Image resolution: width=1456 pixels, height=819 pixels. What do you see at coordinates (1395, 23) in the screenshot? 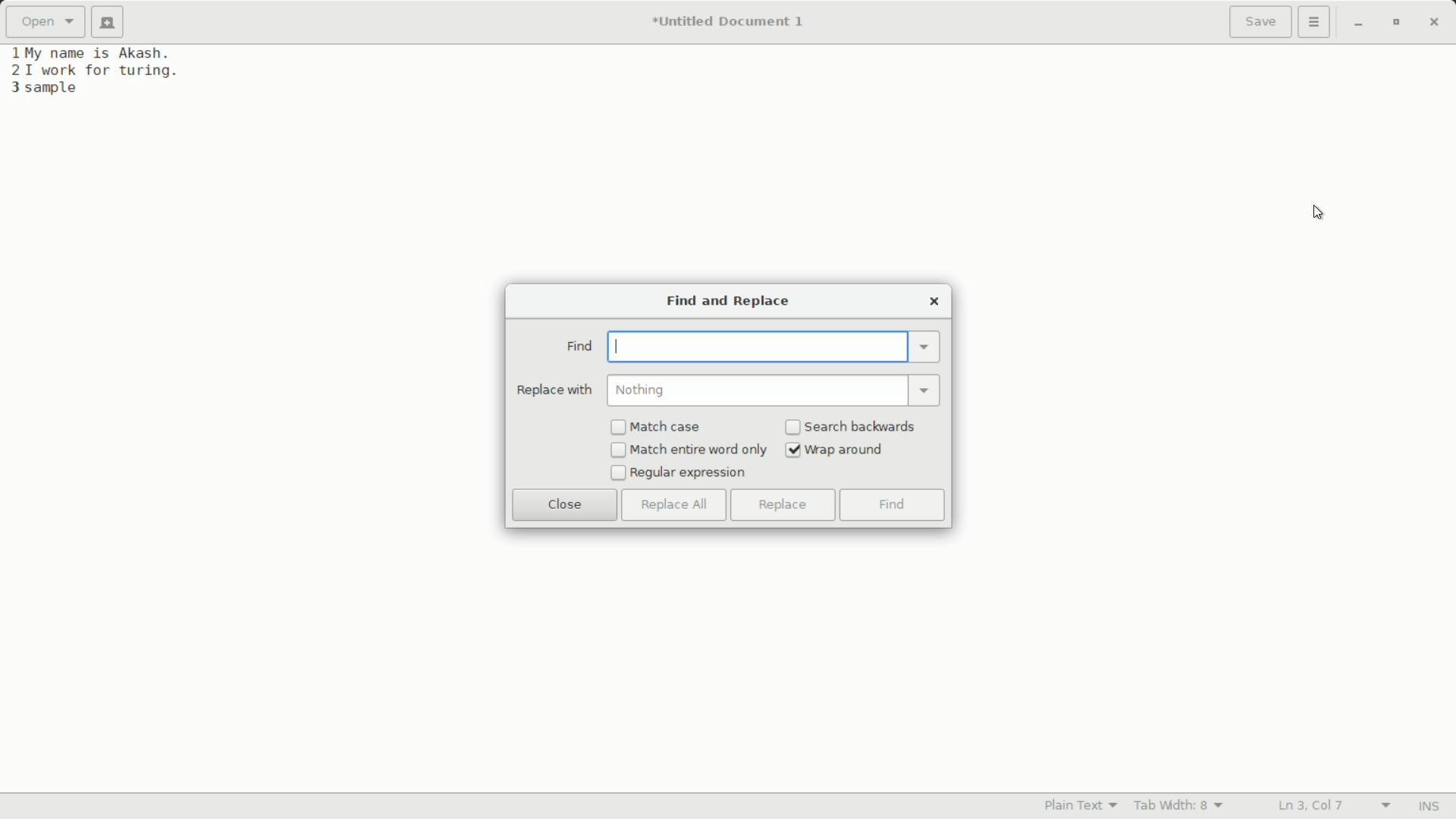
I see `maximize or restore` at bounding box center [1395, 23].